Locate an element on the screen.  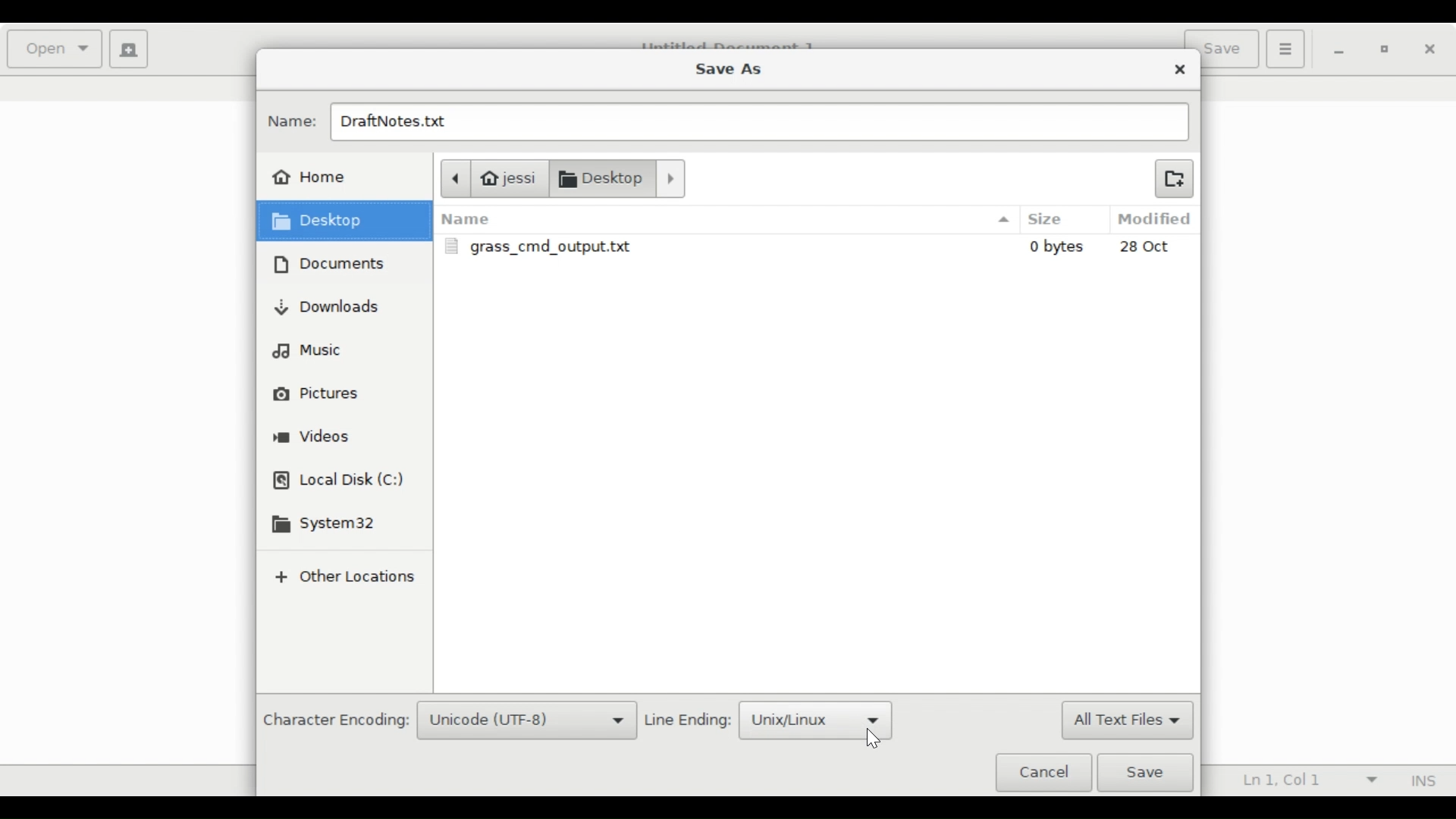
Create a new document is located at coordinates (130, 49).